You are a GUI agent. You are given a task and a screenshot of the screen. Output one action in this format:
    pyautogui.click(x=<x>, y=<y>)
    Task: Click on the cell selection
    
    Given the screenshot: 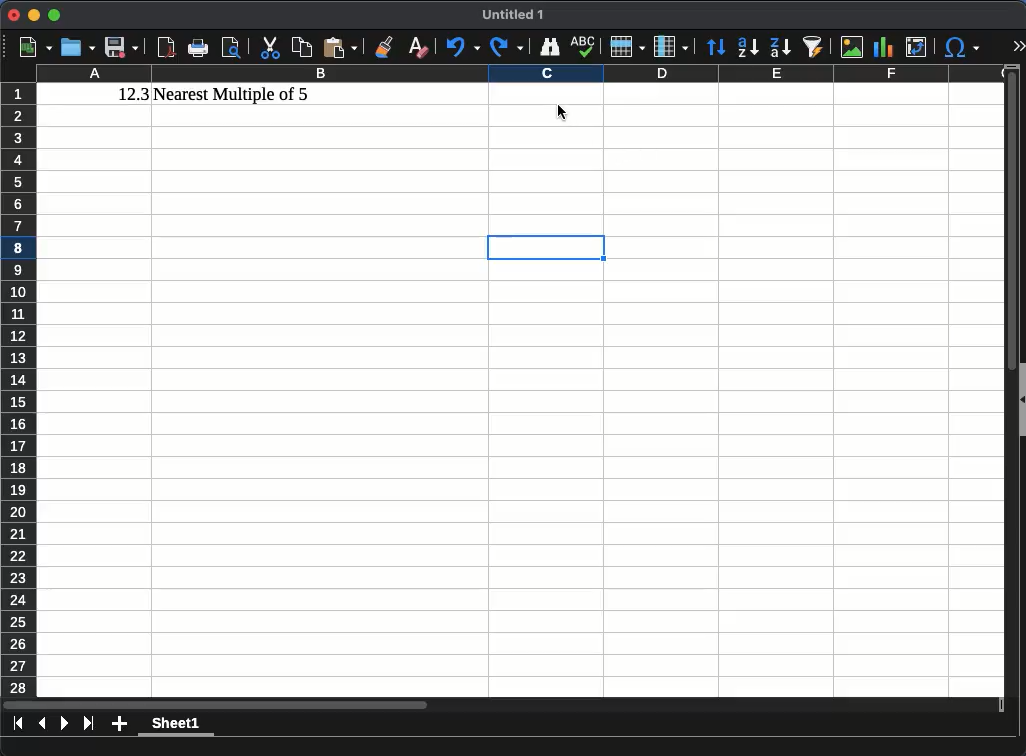 What is the action you would take?
    pyautogui.click(x=548, y=246)
    